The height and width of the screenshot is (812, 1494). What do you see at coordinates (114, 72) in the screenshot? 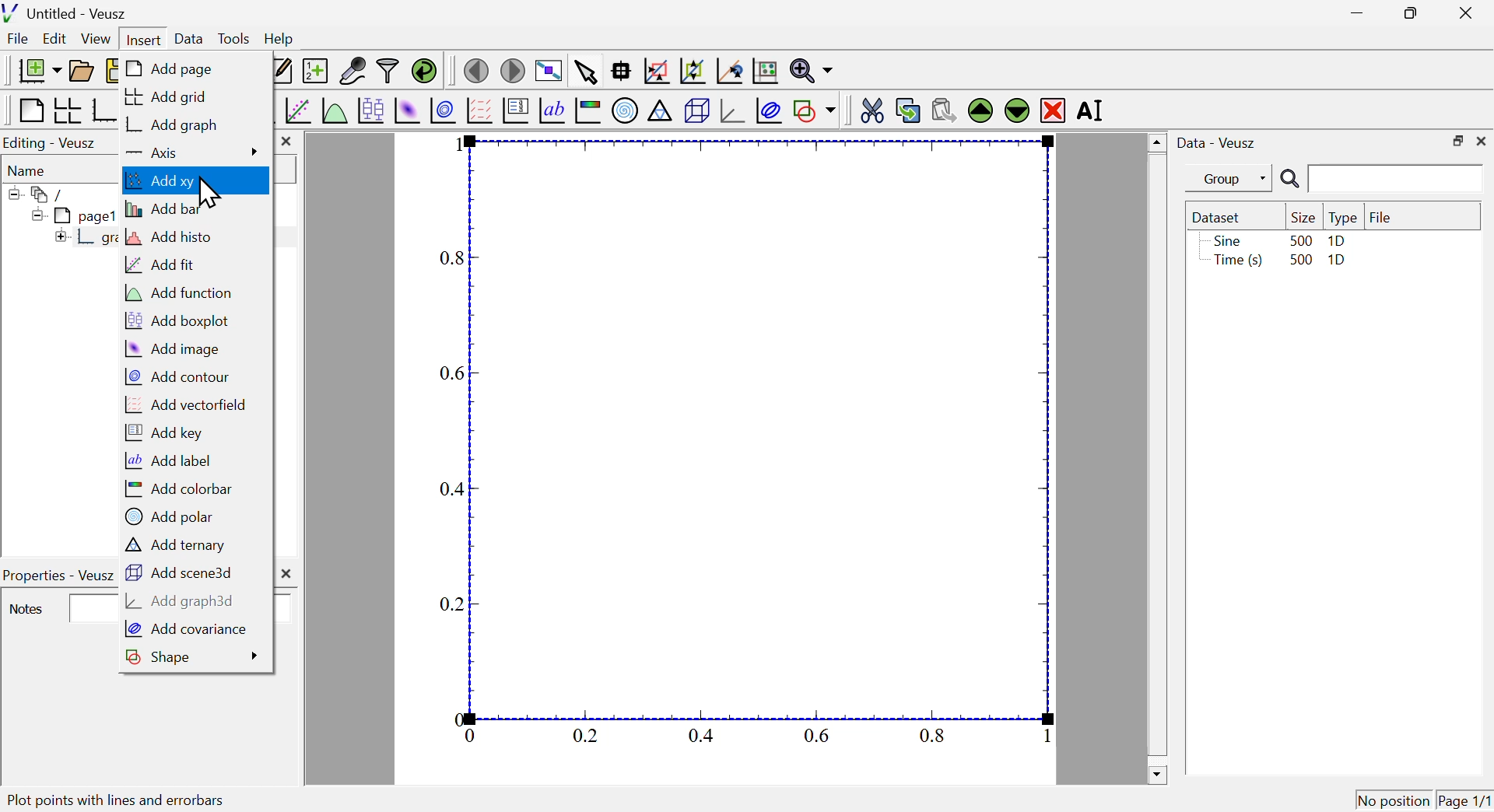
I see `save the document` at bounding box center [114, 72].